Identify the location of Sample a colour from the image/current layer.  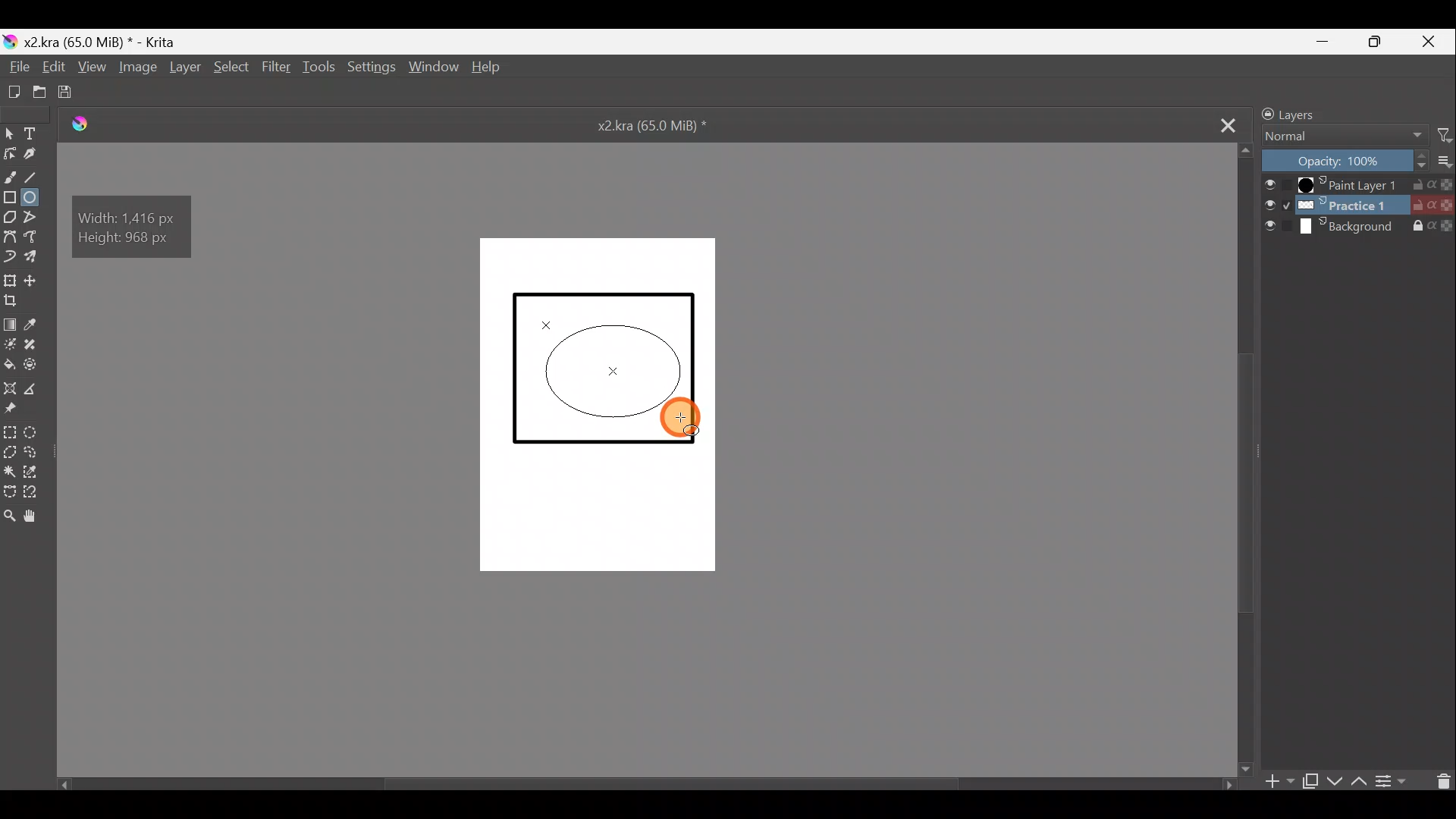
(39, 324).